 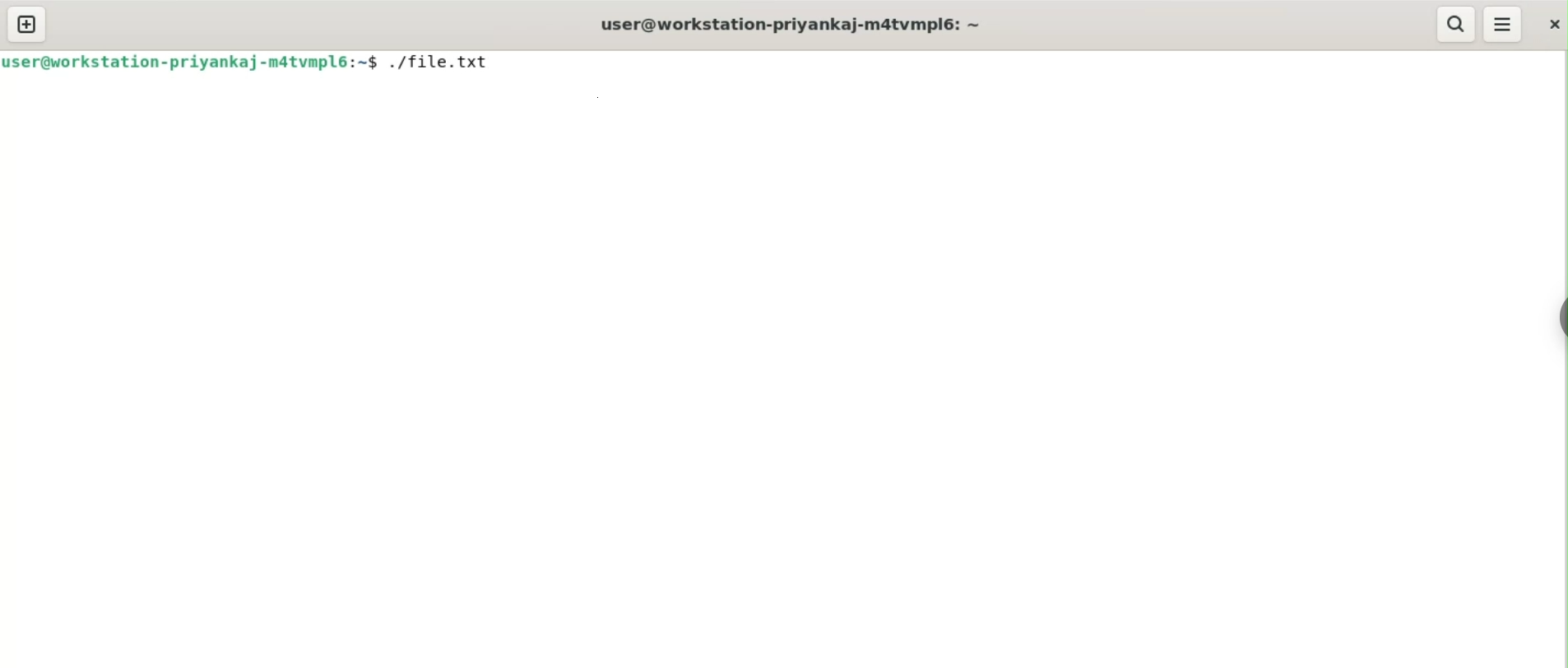 I want to click on menu, so click(x=1504, y=26).